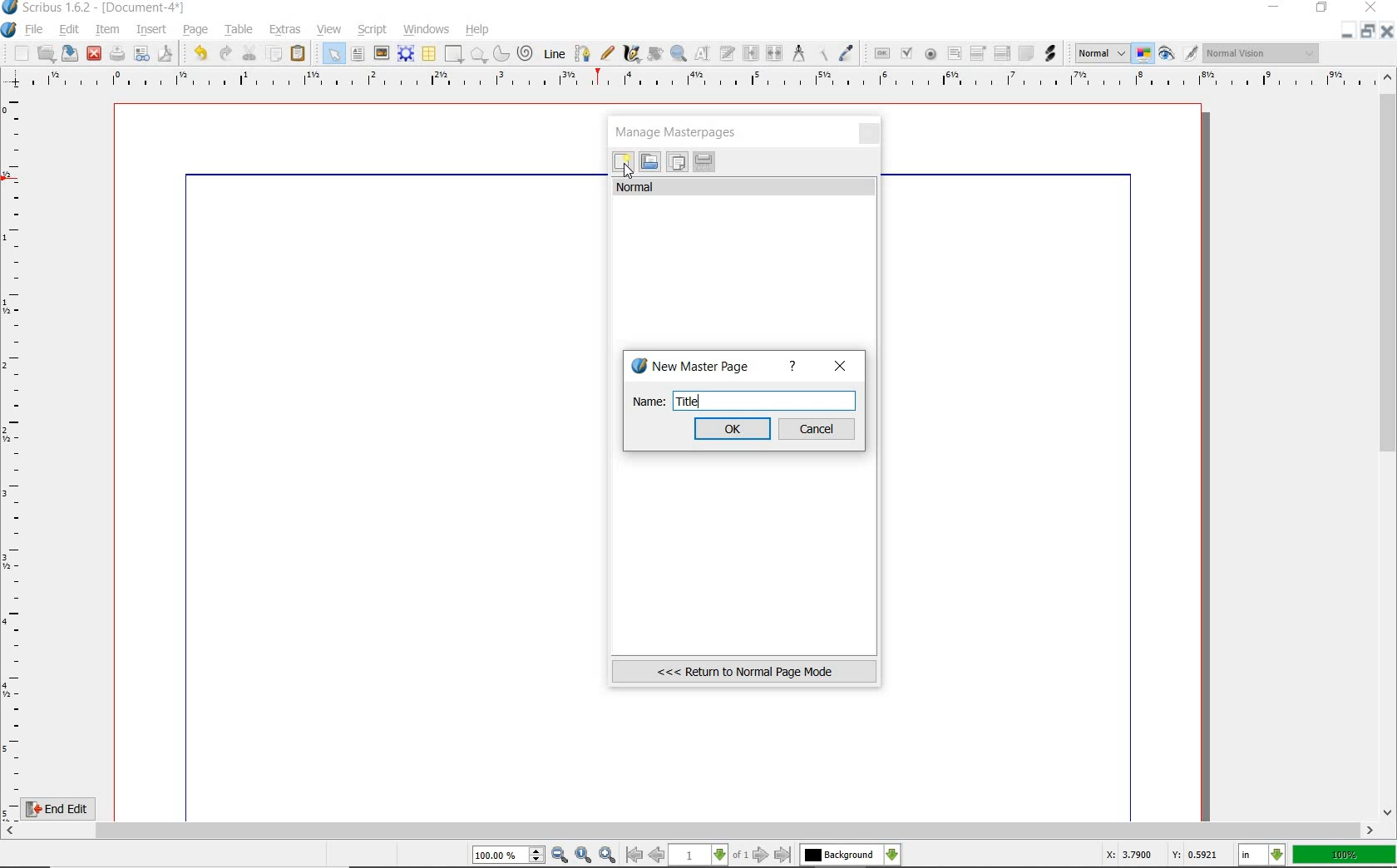 Image resolution: width=1397 pixels, height=868 pixels. What do you see at coordinates (16, 53) in the screenshot?
I see `new` at bounding box center [16, 53].